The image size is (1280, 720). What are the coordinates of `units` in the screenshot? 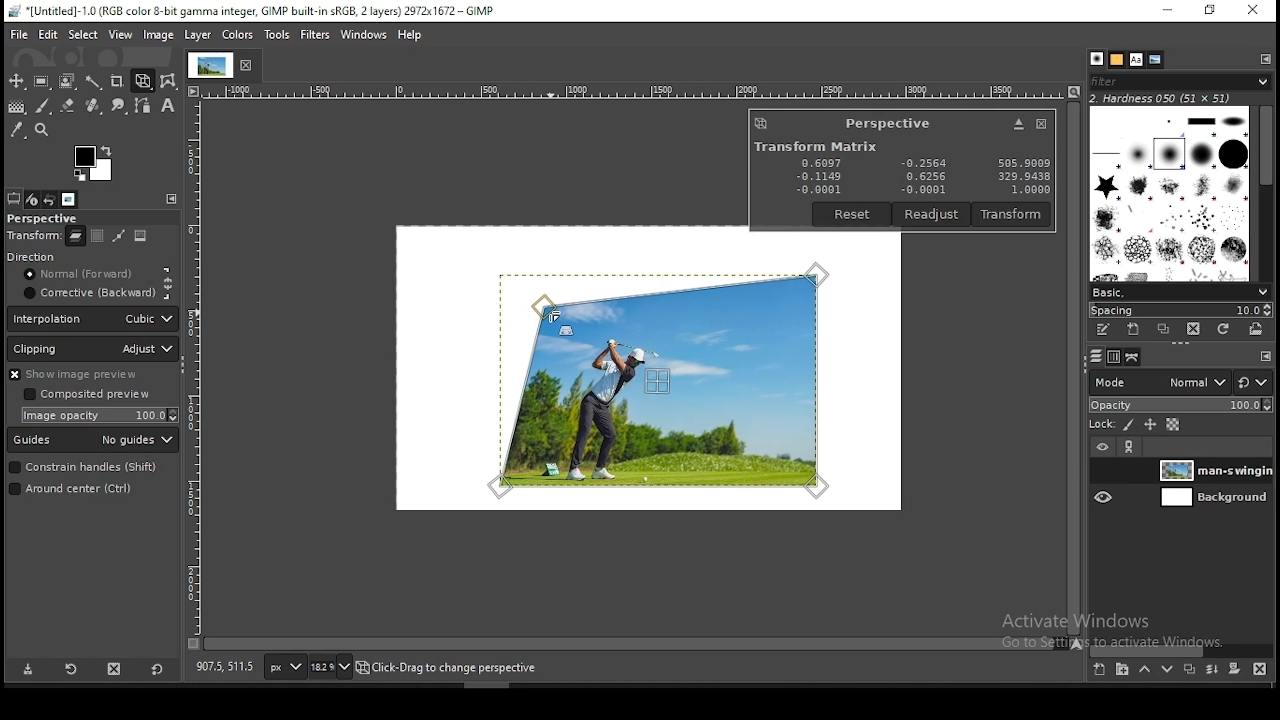 It's located at (284, 667).